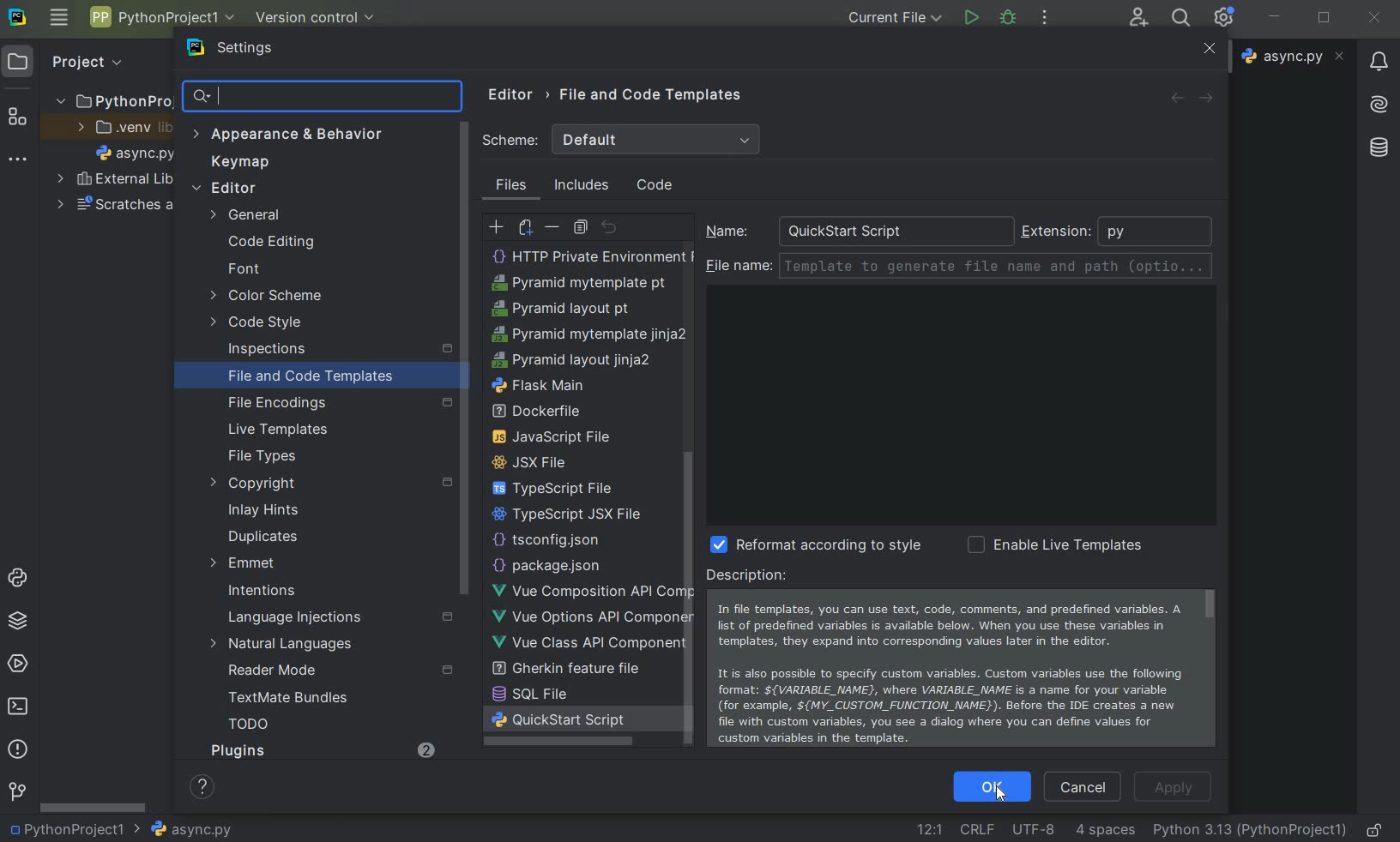  I want to click on backward, so click(1175, 96).